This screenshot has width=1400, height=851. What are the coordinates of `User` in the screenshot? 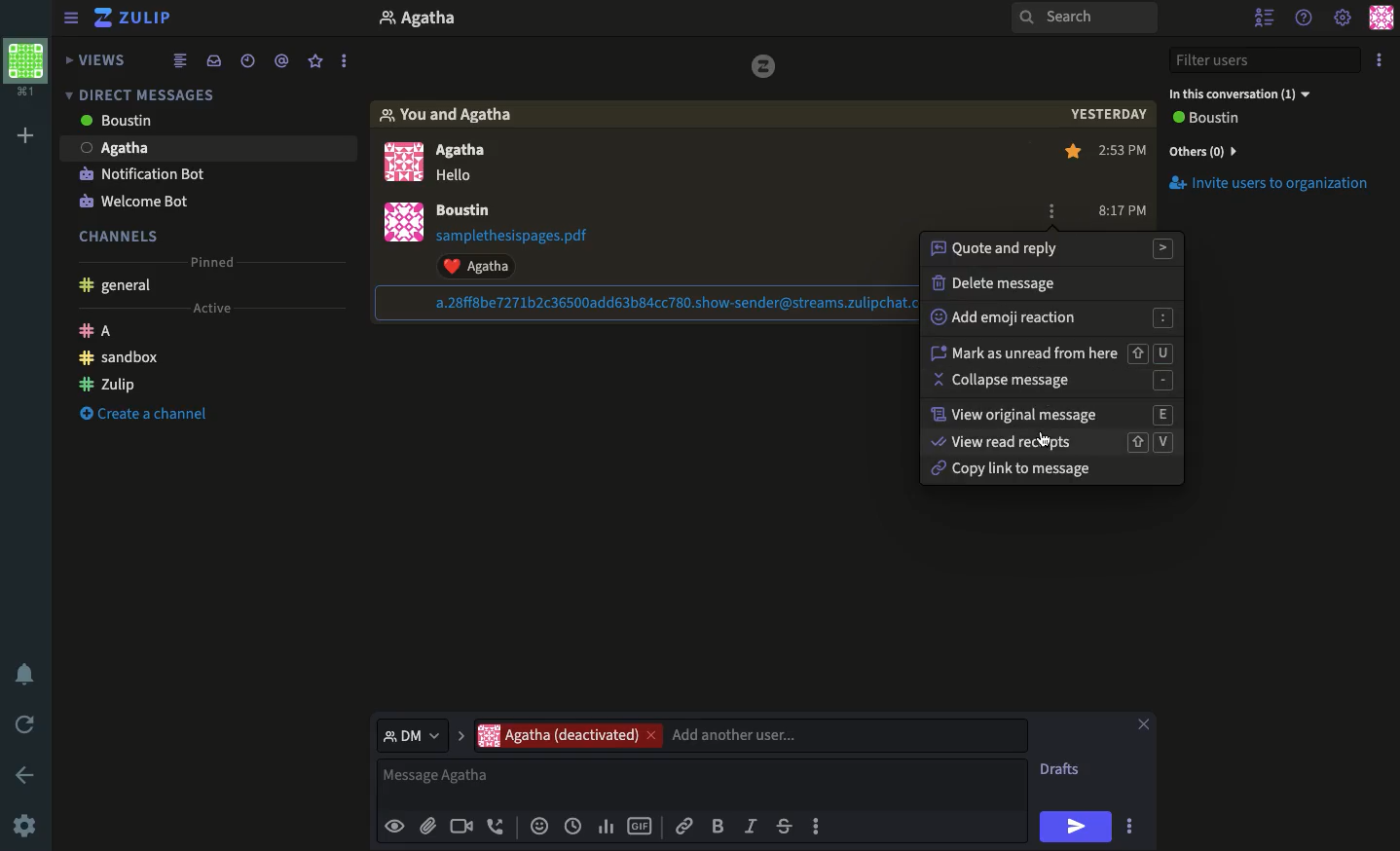 It's located at (439, 20).